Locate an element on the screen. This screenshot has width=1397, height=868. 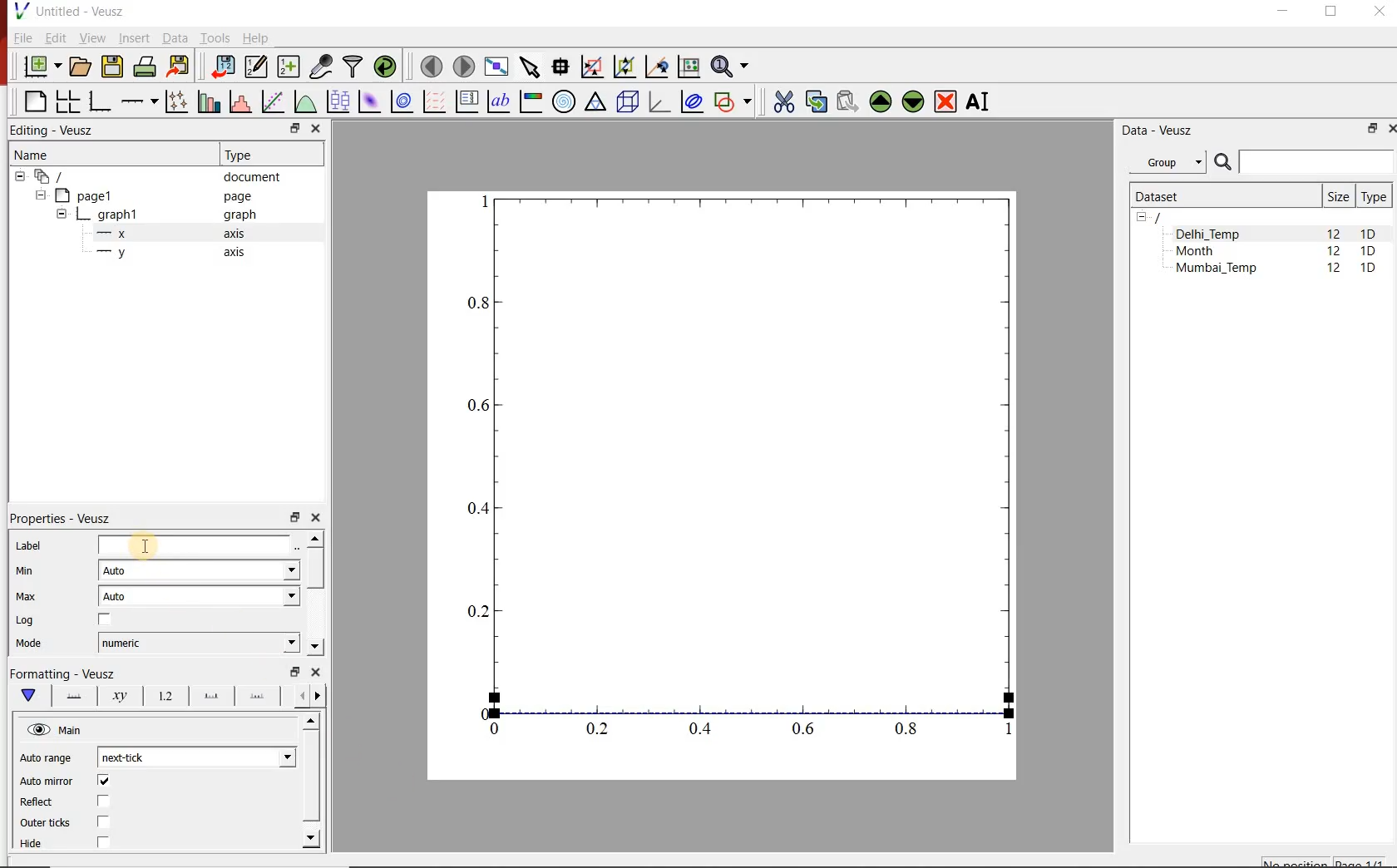
Min is located at coordinates (23, 571).